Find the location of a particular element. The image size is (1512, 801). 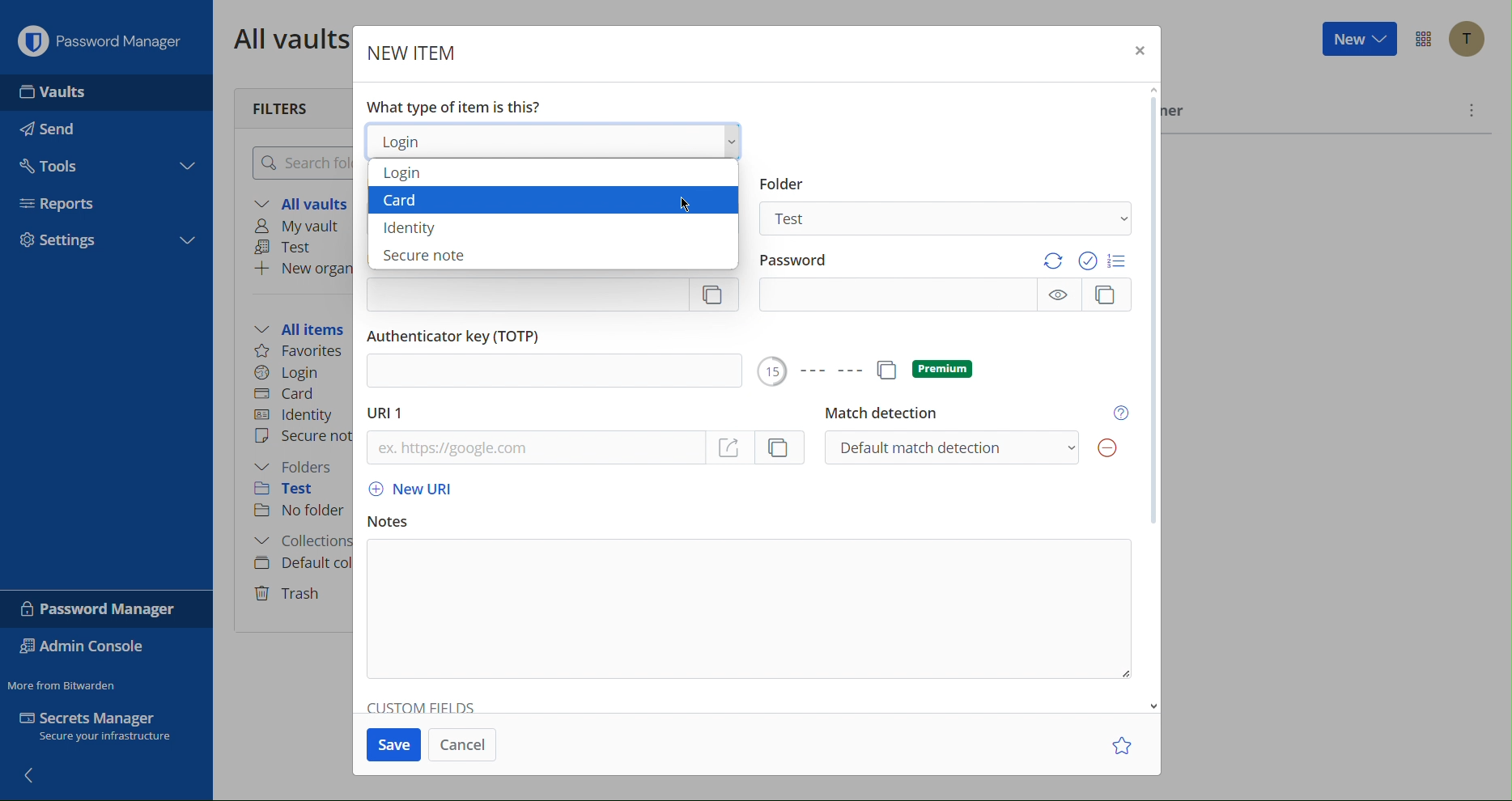

Password is located at coordinates (953, 294).